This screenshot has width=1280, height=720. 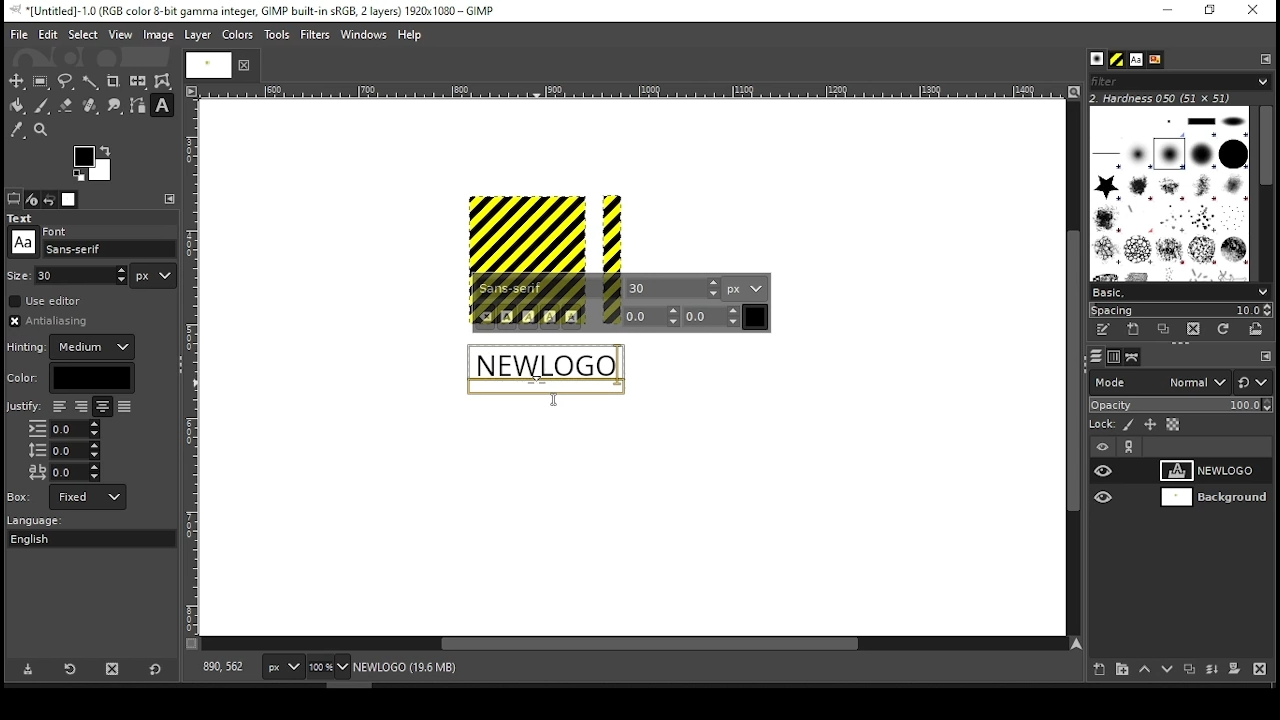 What do you see at coordinates (156, 670) in the screenshot?
I see `reset to defaults` at bounding box center [156, 670].